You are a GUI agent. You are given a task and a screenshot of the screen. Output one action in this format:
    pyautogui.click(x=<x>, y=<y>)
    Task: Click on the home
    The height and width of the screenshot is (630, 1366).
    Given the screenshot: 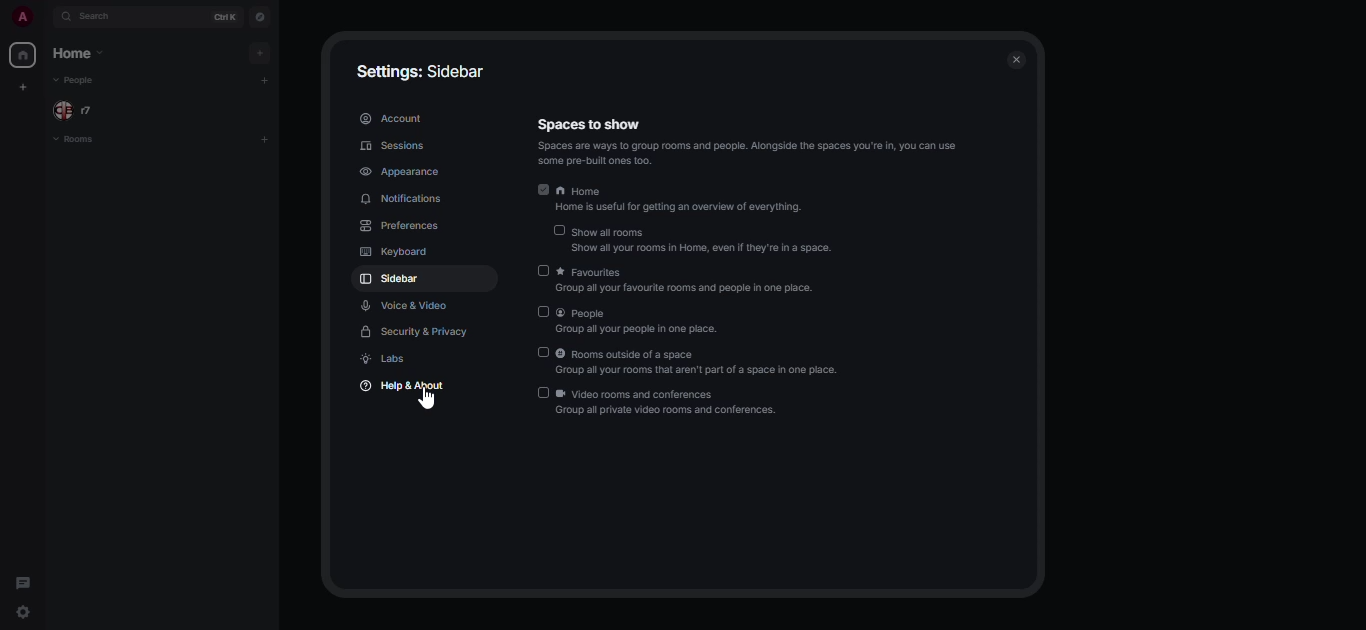 What is the action you would take?
    pyautogui.click(x=84, y=54)
    